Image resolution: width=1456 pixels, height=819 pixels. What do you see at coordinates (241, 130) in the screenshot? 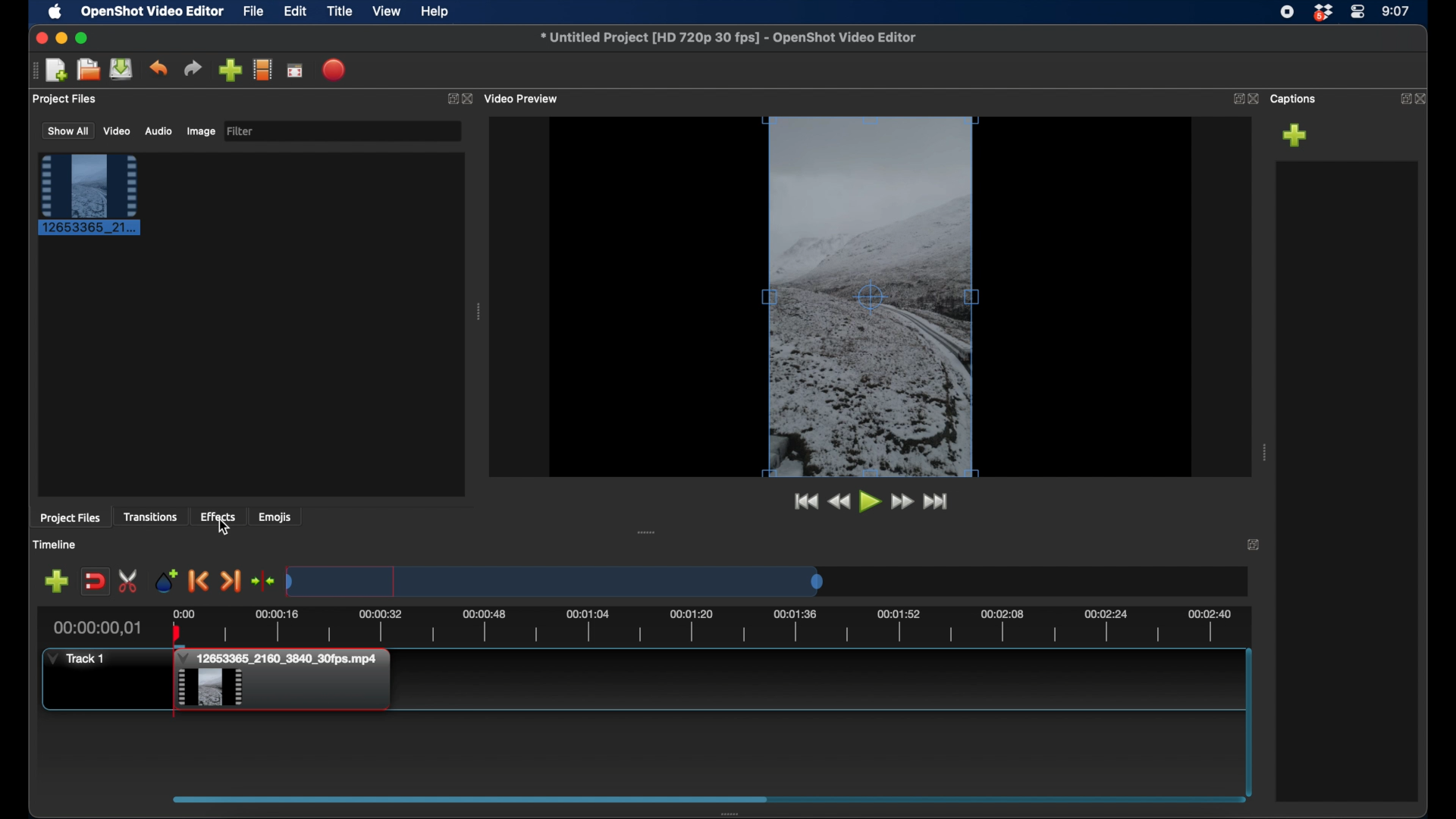
I see `filter` at bounding box center [241, 130].